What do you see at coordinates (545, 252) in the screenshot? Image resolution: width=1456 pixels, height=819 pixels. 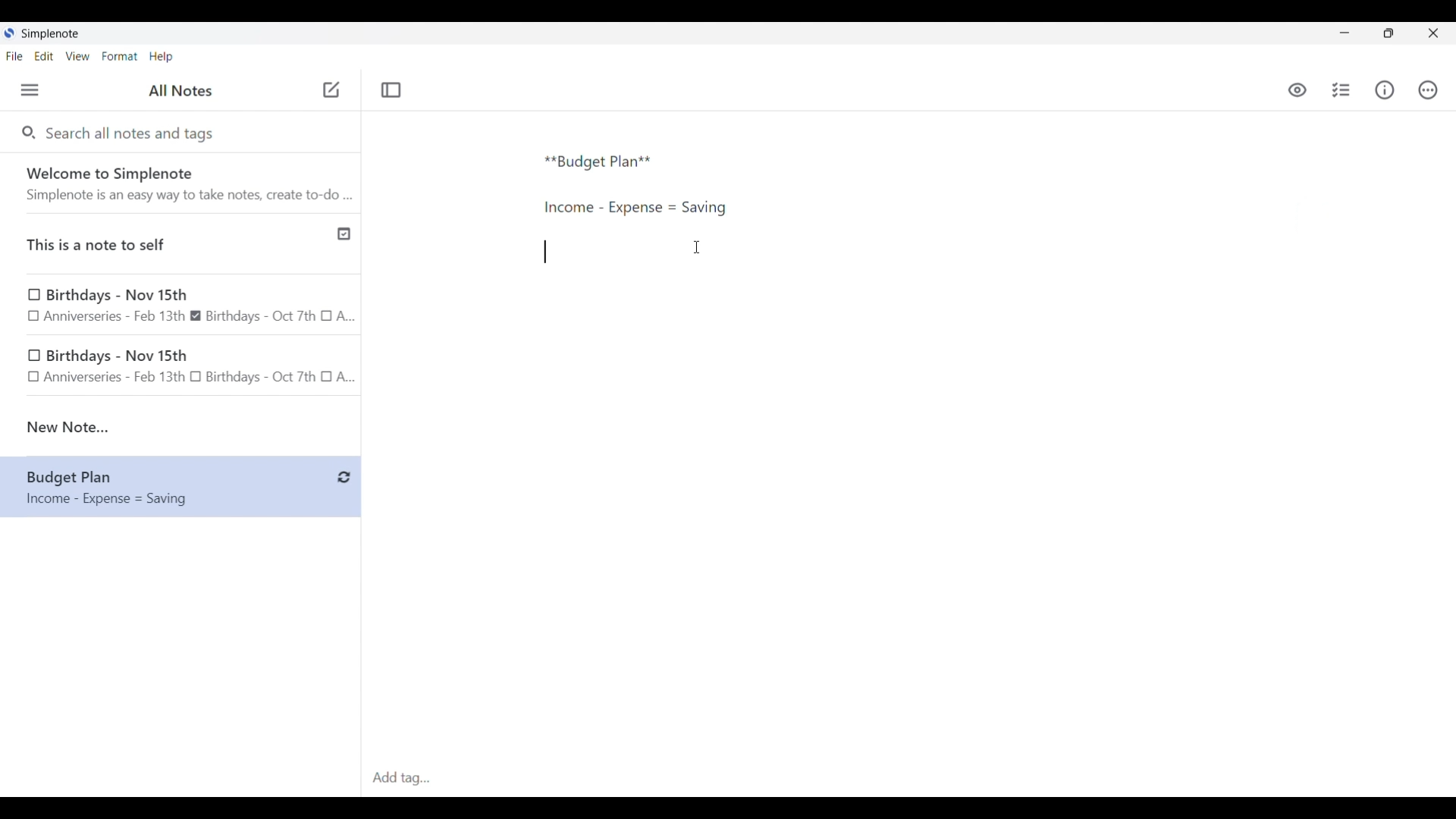 I see `Typing in more text` at bounding box center [545, 252].